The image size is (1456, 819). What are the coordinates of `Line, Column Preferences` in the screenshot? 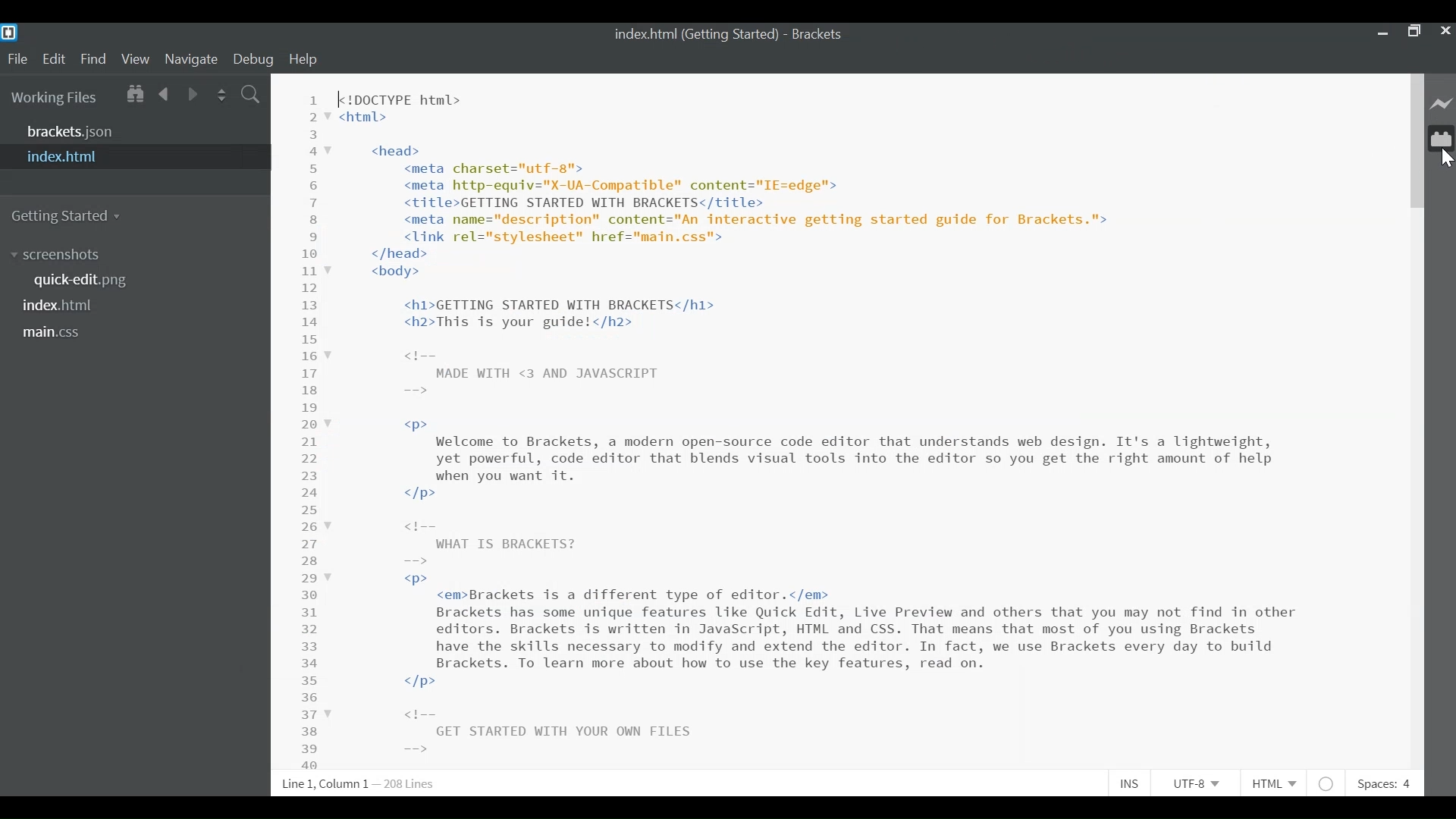 It's located at (360, 781).